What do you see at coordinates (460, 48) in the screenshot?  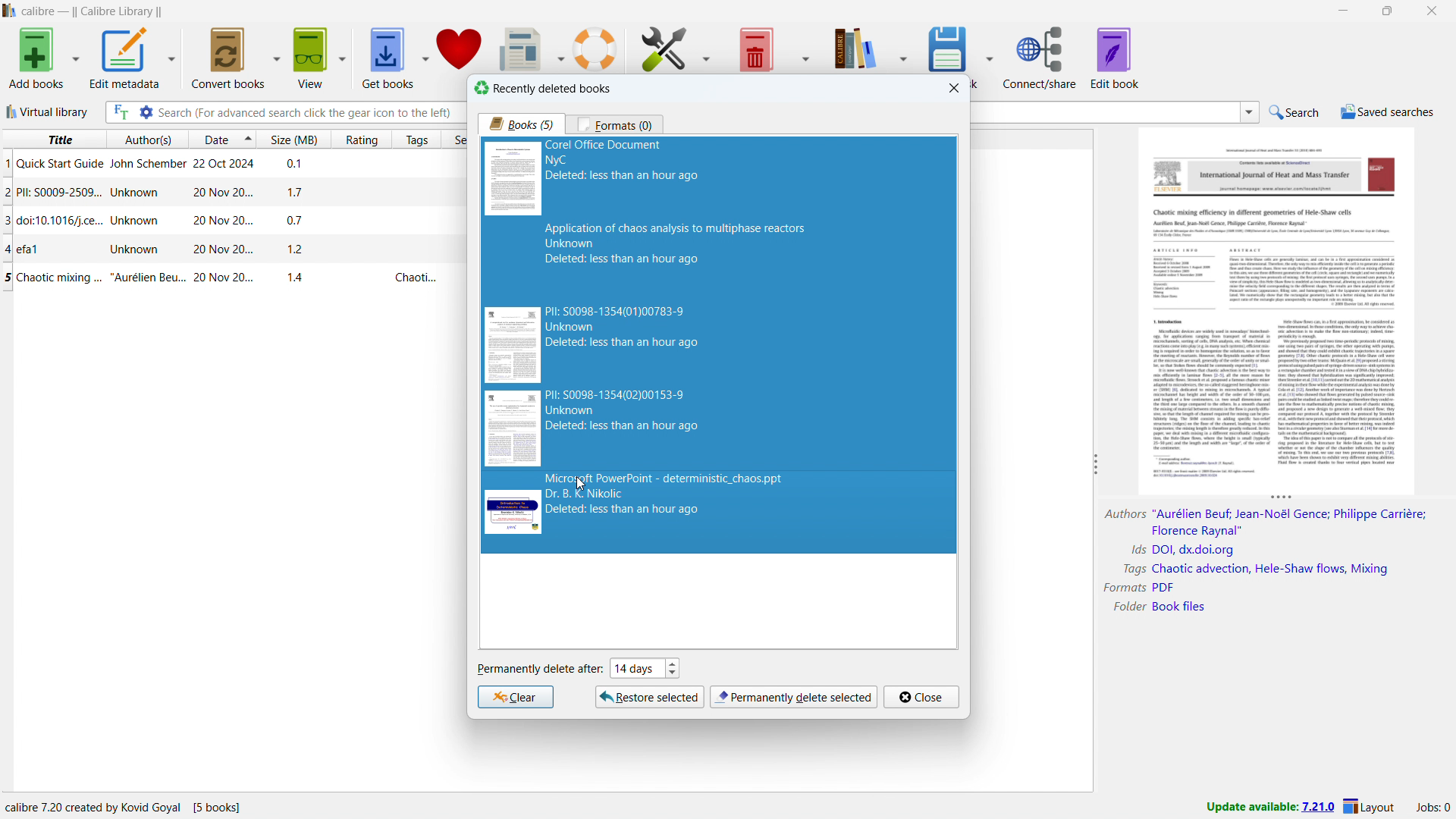 I see `donate to calibre` at bounding box center [460, 48].